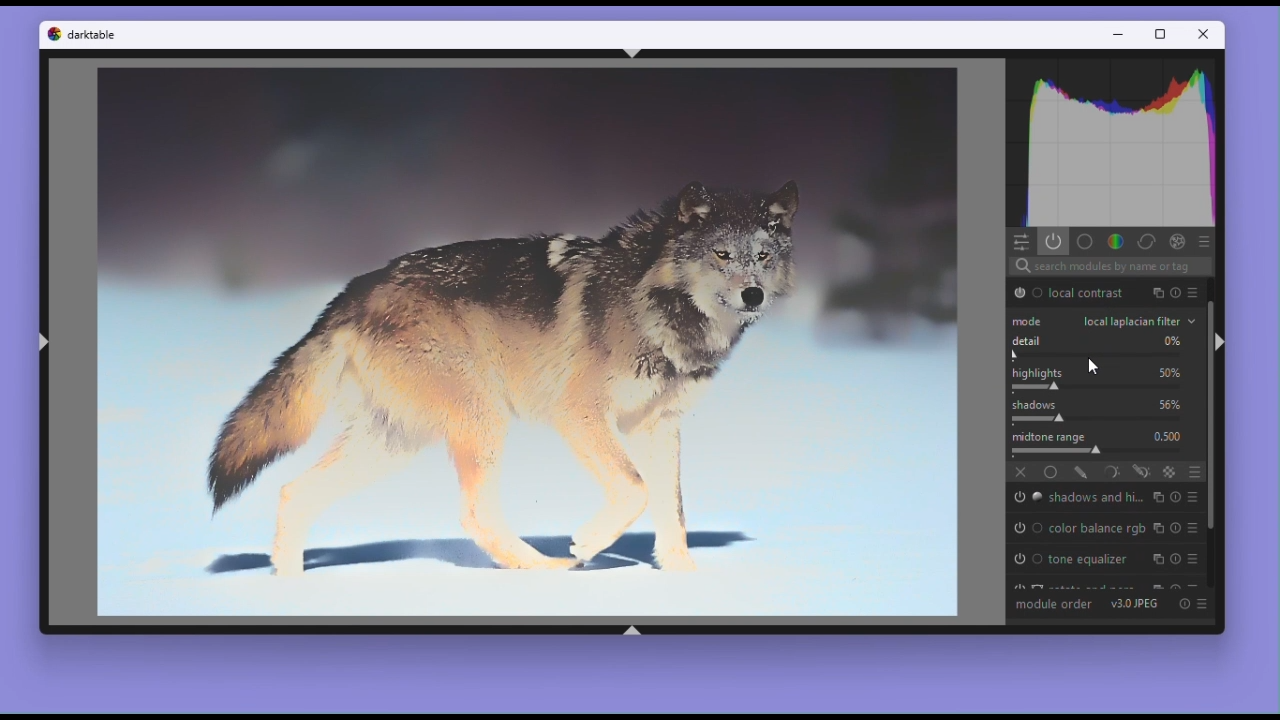 This screenshot has width=1280, height=720. I want to click on Reset, so click(1184, 603).